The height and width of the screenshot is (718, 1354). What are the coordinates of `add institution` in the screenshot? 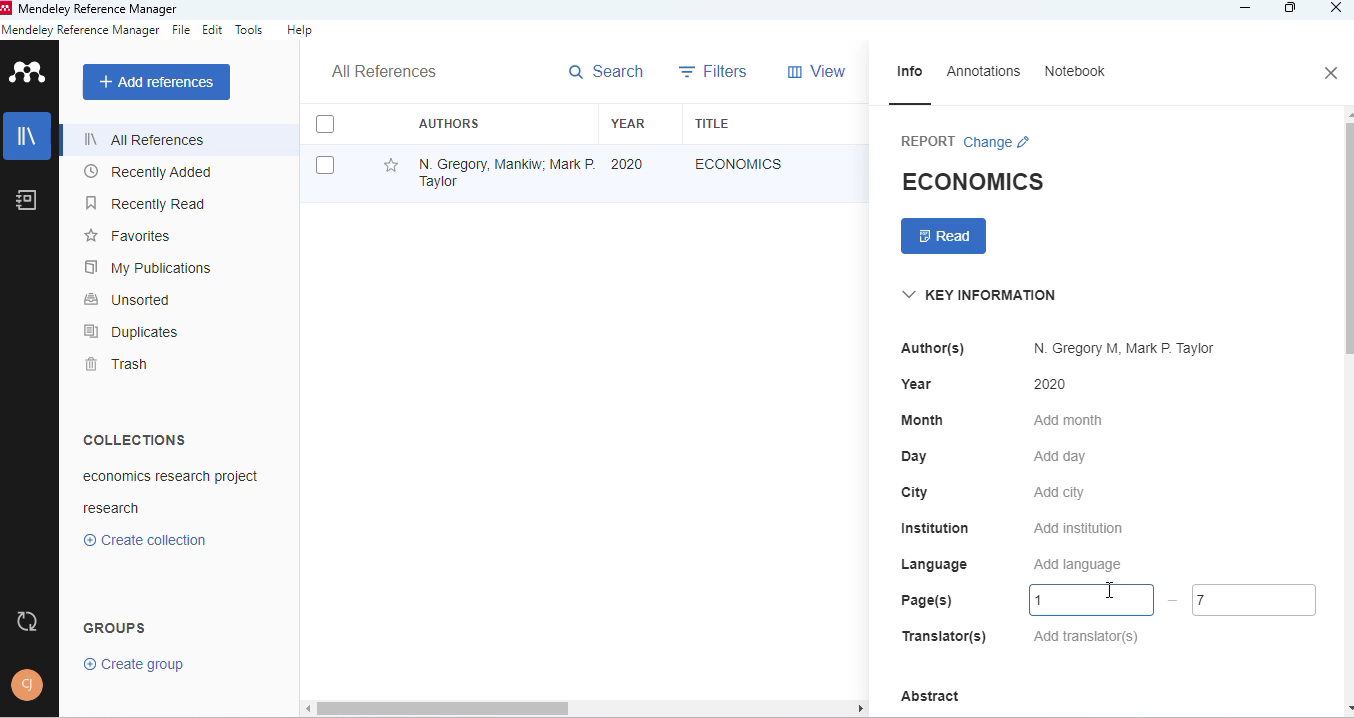 It's located at (1079, 528).